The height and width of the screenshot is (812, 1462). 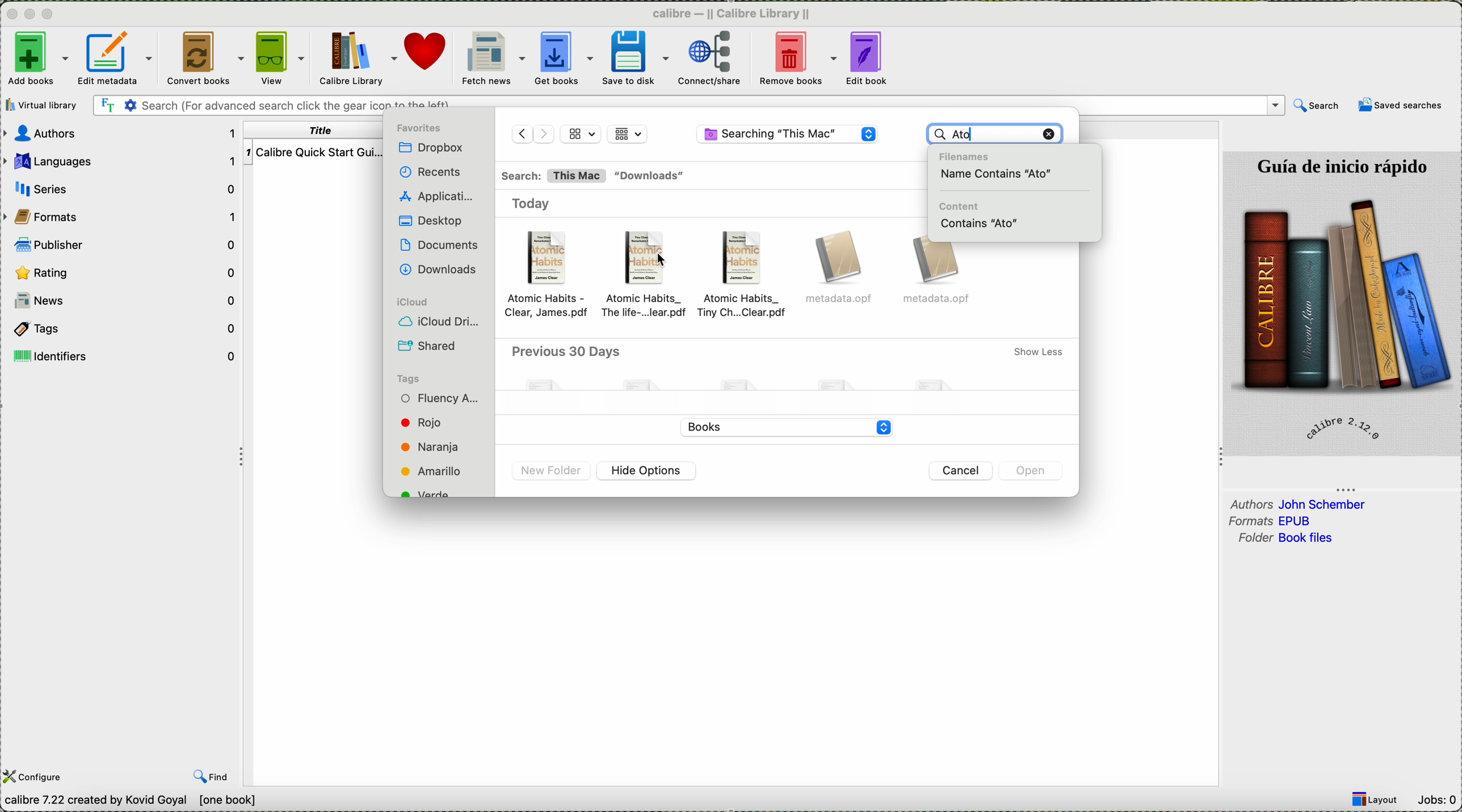 I want to click on tags, so click(x=125, y=329).